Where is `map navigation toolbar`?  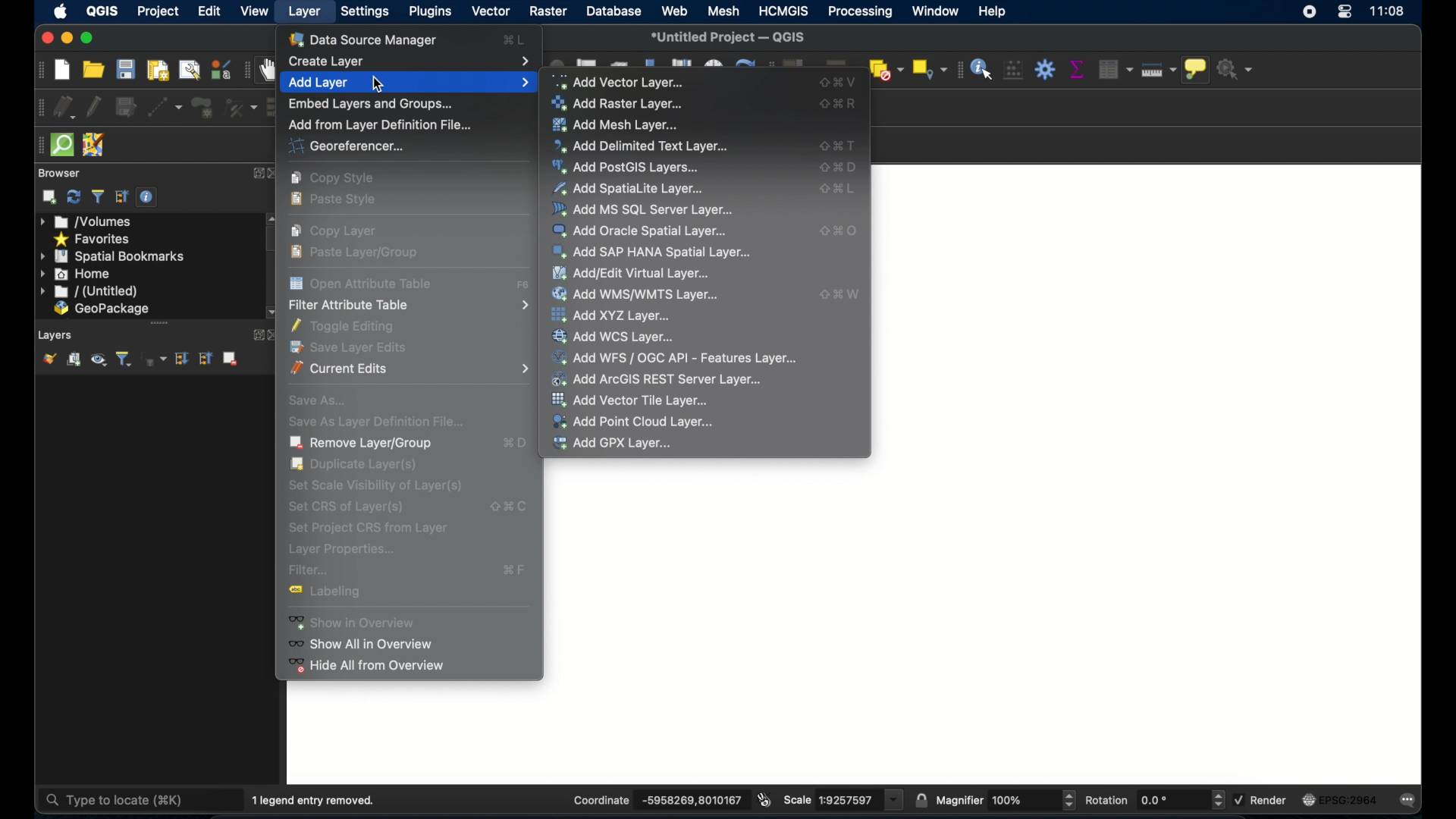
map navigation toolbar is located at coordinates (247, 70).